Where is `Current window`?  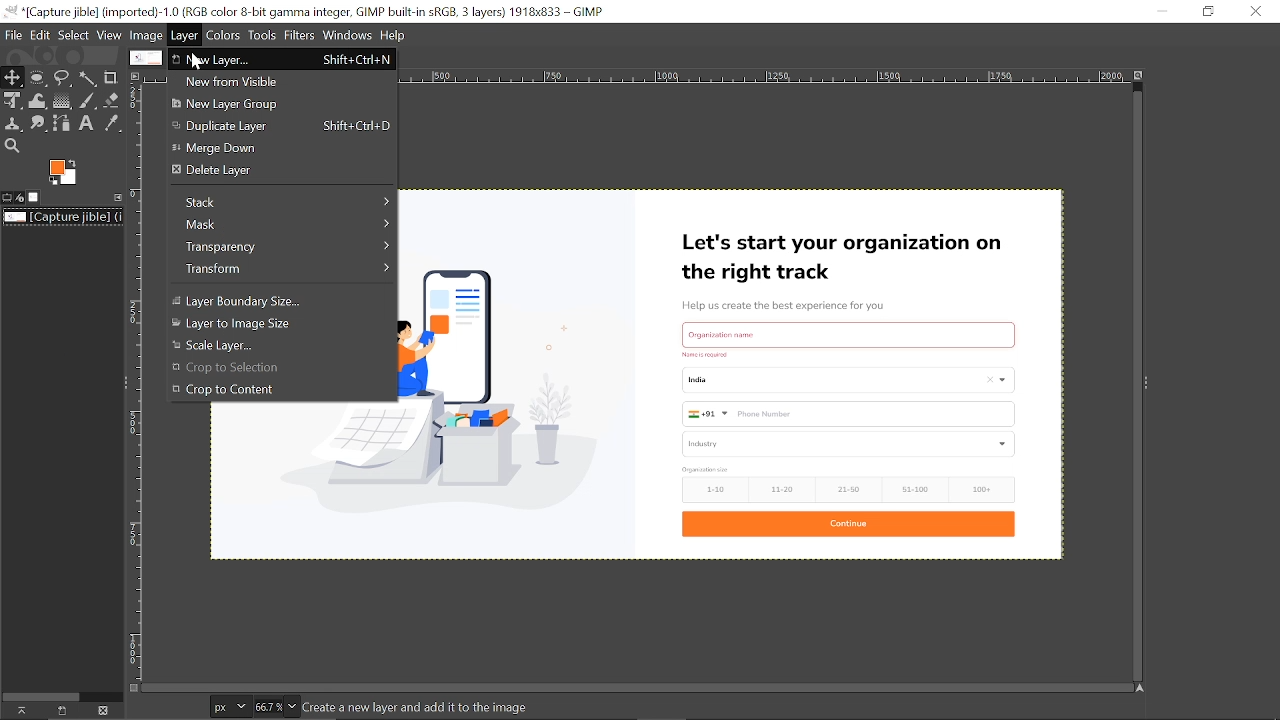 Current window is located at coordinates (317, 11).